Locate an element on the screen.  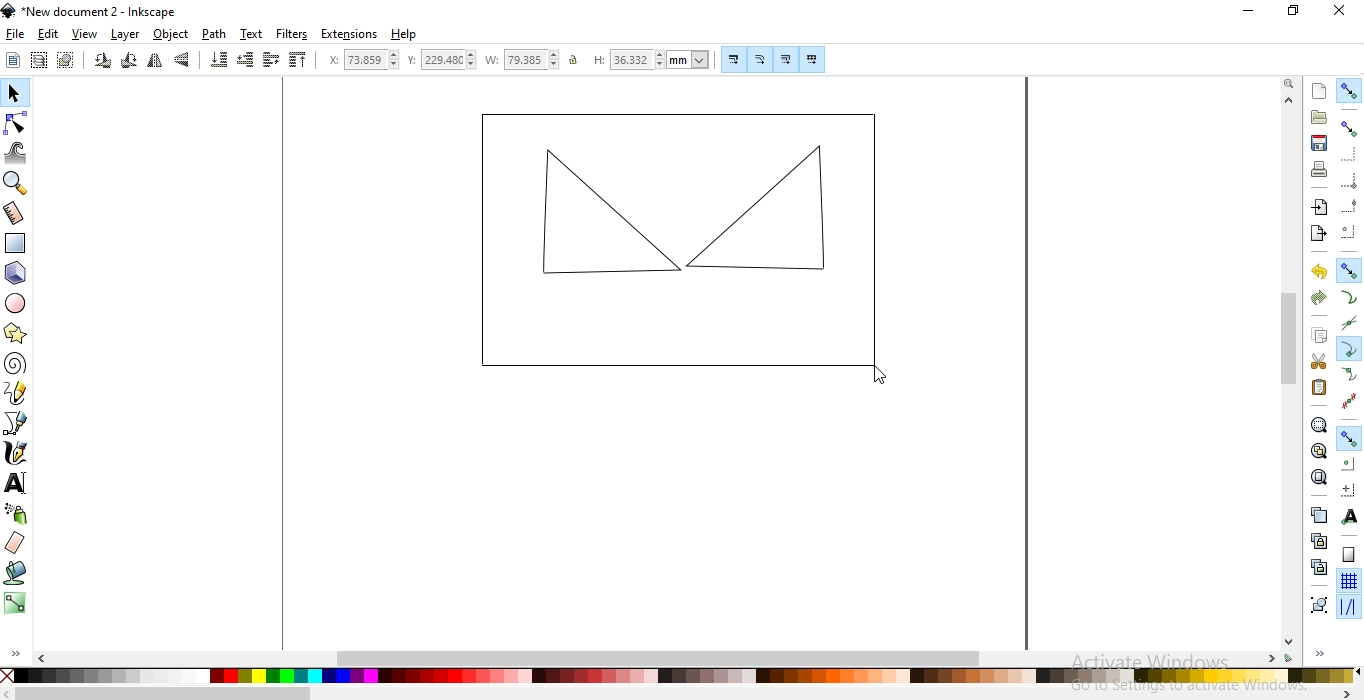
open an existing document is located at coordinates (1319, 117).